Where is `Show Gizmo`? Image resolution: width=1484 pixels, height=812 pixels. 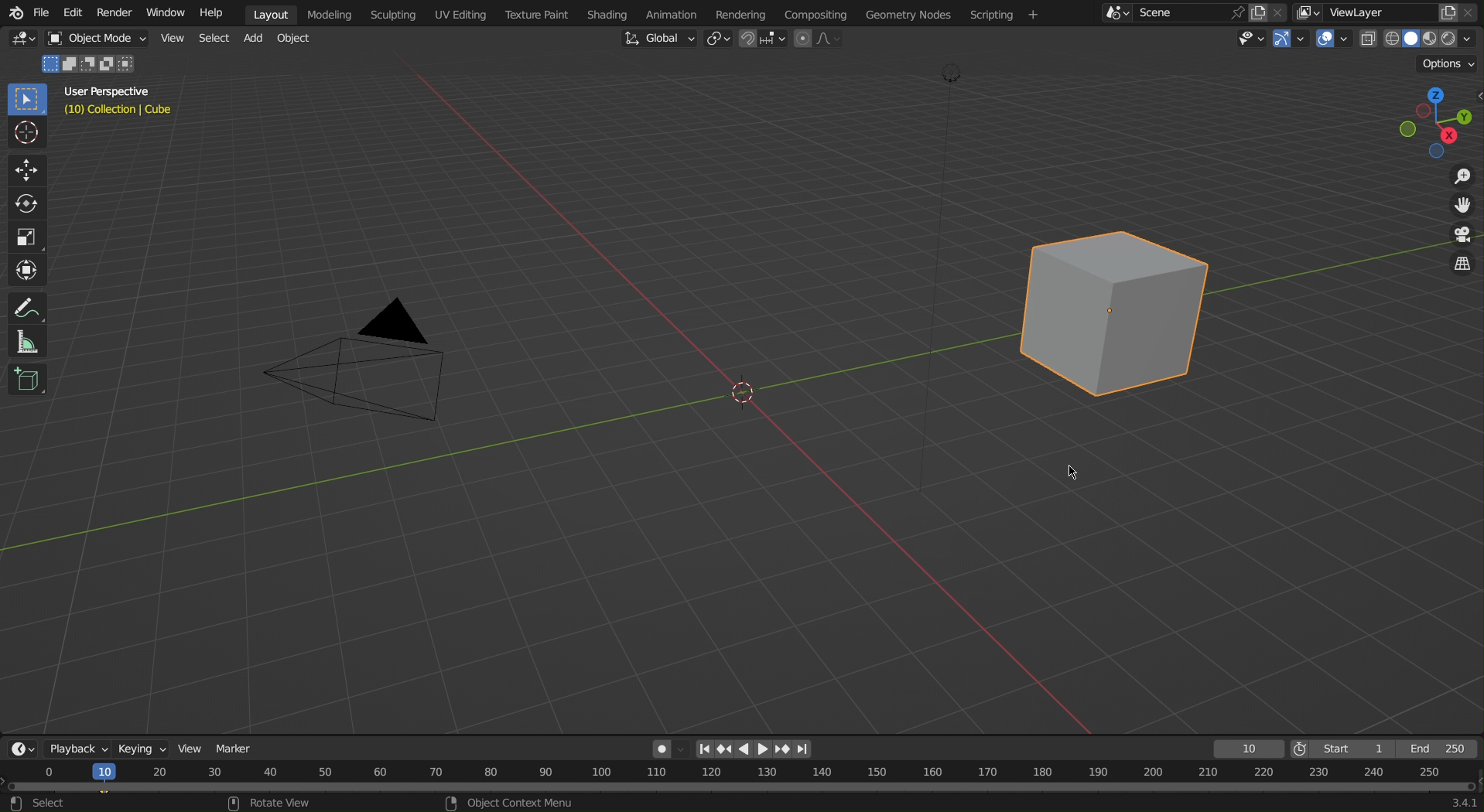 Show Gizmo is located at coordinates (1288, 39).